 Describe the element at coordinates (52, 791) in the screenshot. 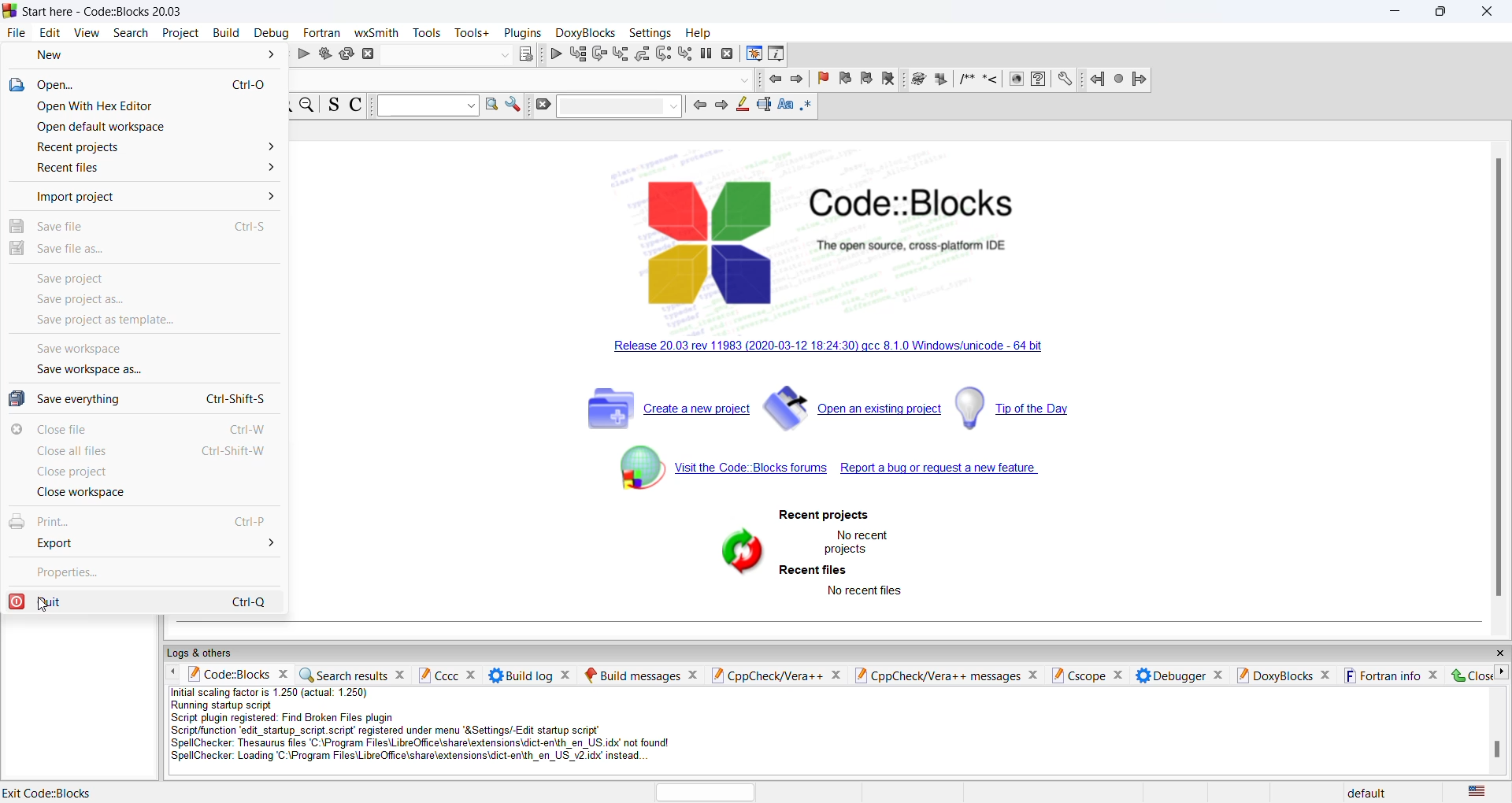

I see `Exit Code::Blocks` at that location.